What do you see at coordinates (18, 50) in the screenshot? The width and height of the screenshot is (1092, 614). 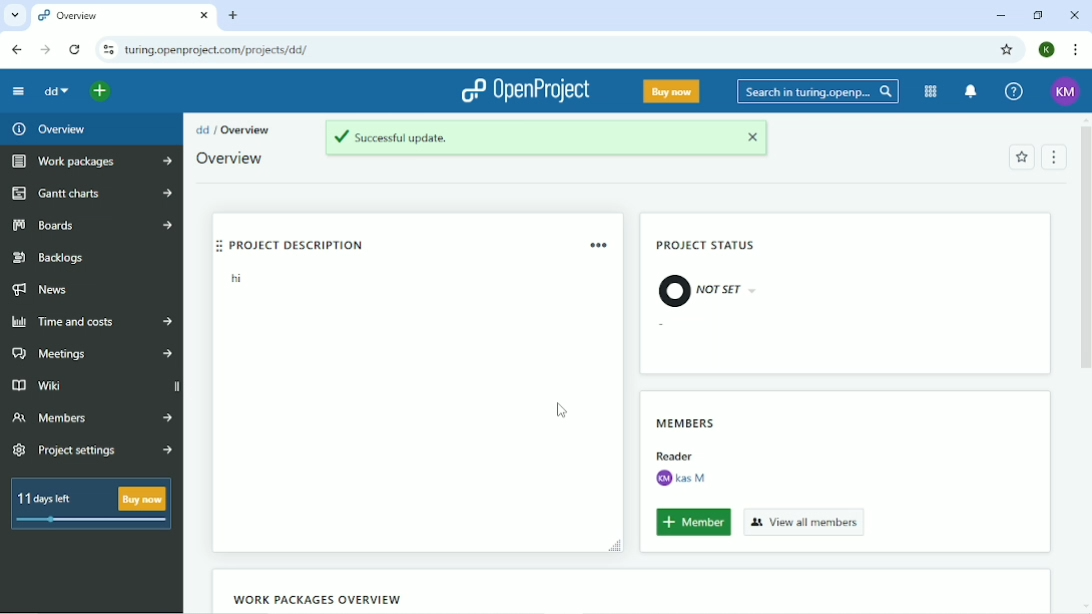 I see `Back` at bounding box center [18, 50].